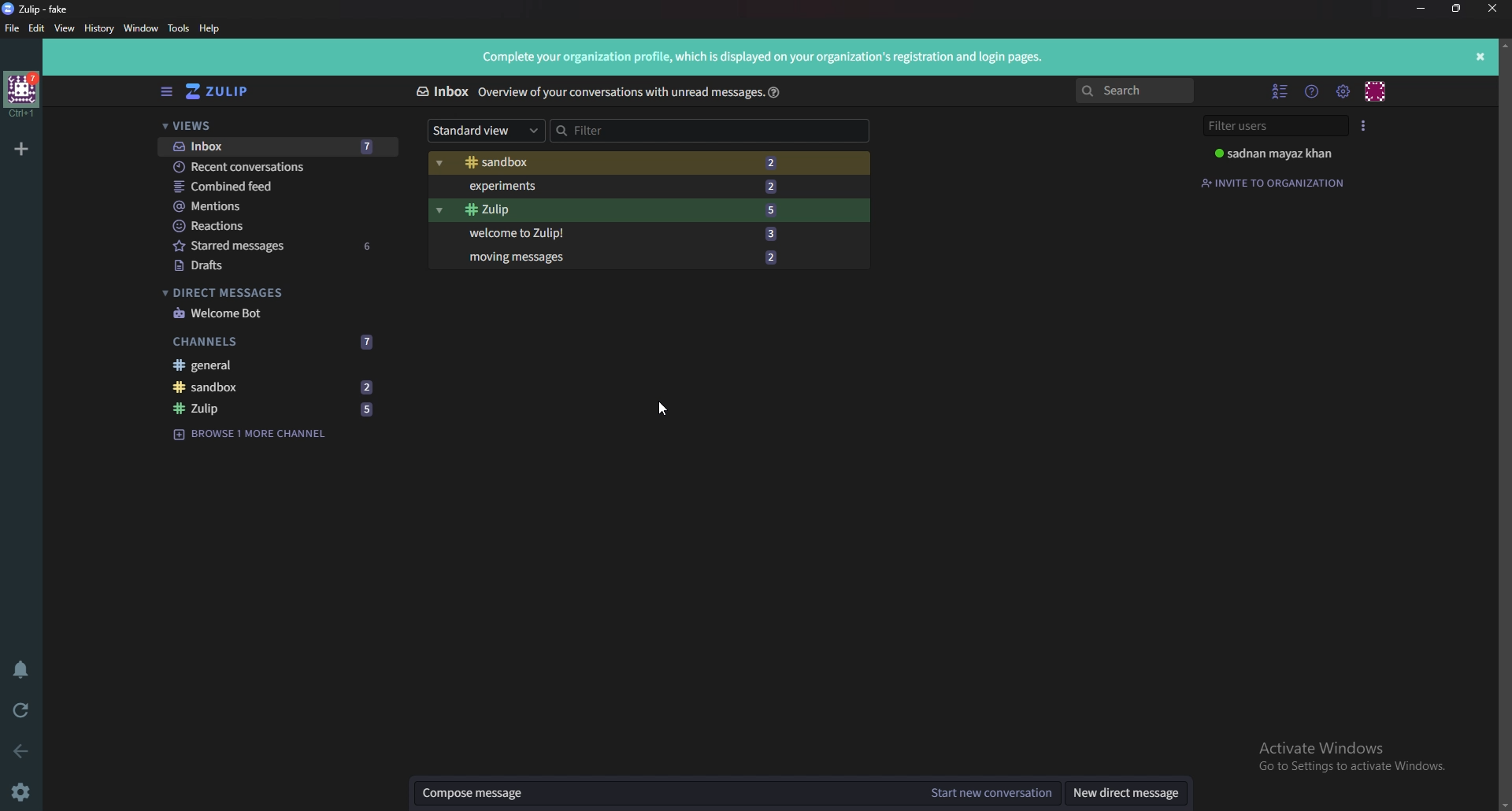 This screenshot has width=1512, height=811. I want to click on Invite to organization, so click(1275, 182).